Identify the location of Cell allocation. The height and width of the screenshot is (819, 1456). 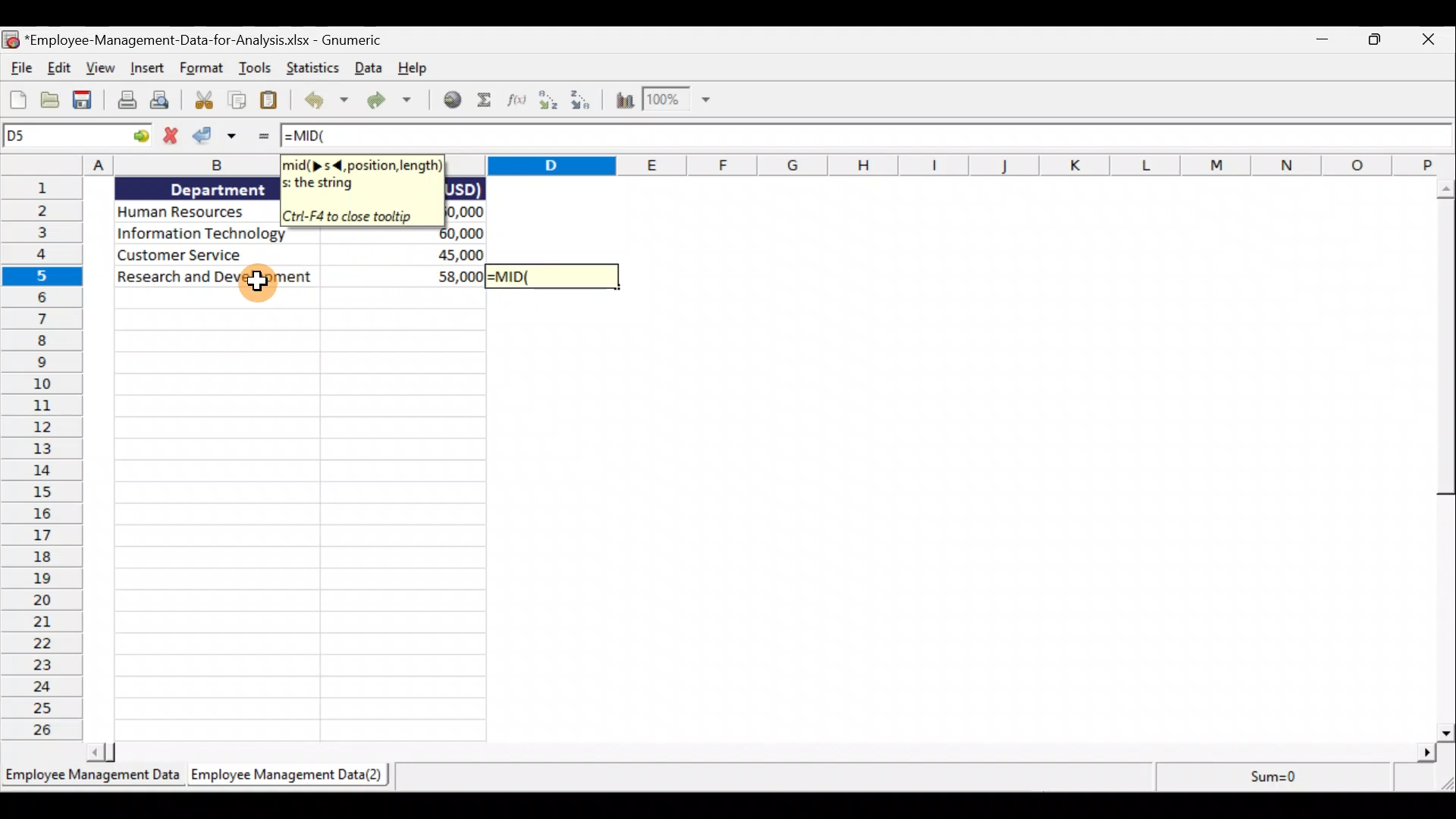
(75, 136).